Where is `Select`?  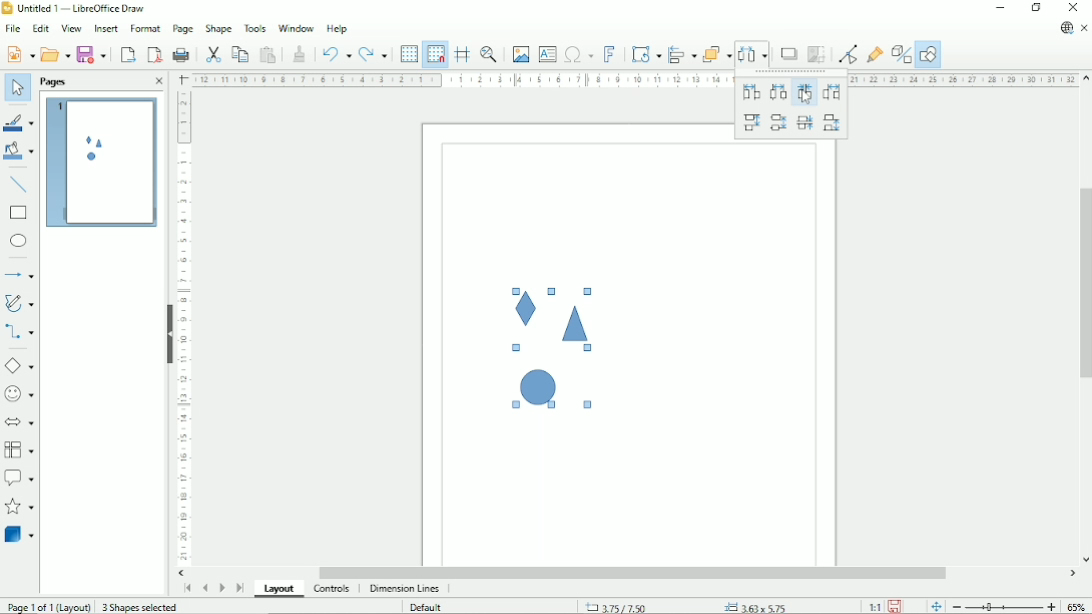
Select is located at coordinates (17, 89).